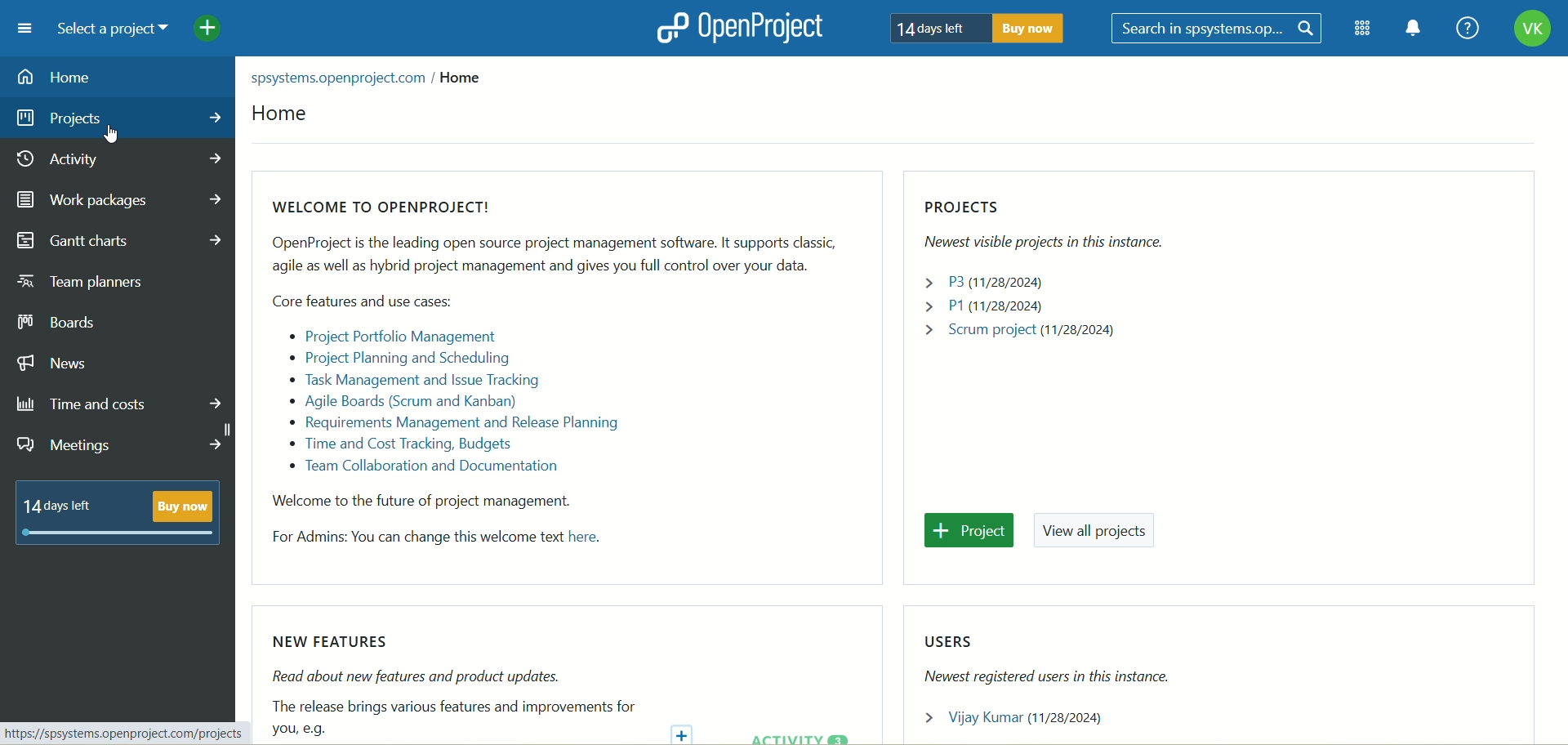  I want to click on NEW FEATURES, so click(332, 640).